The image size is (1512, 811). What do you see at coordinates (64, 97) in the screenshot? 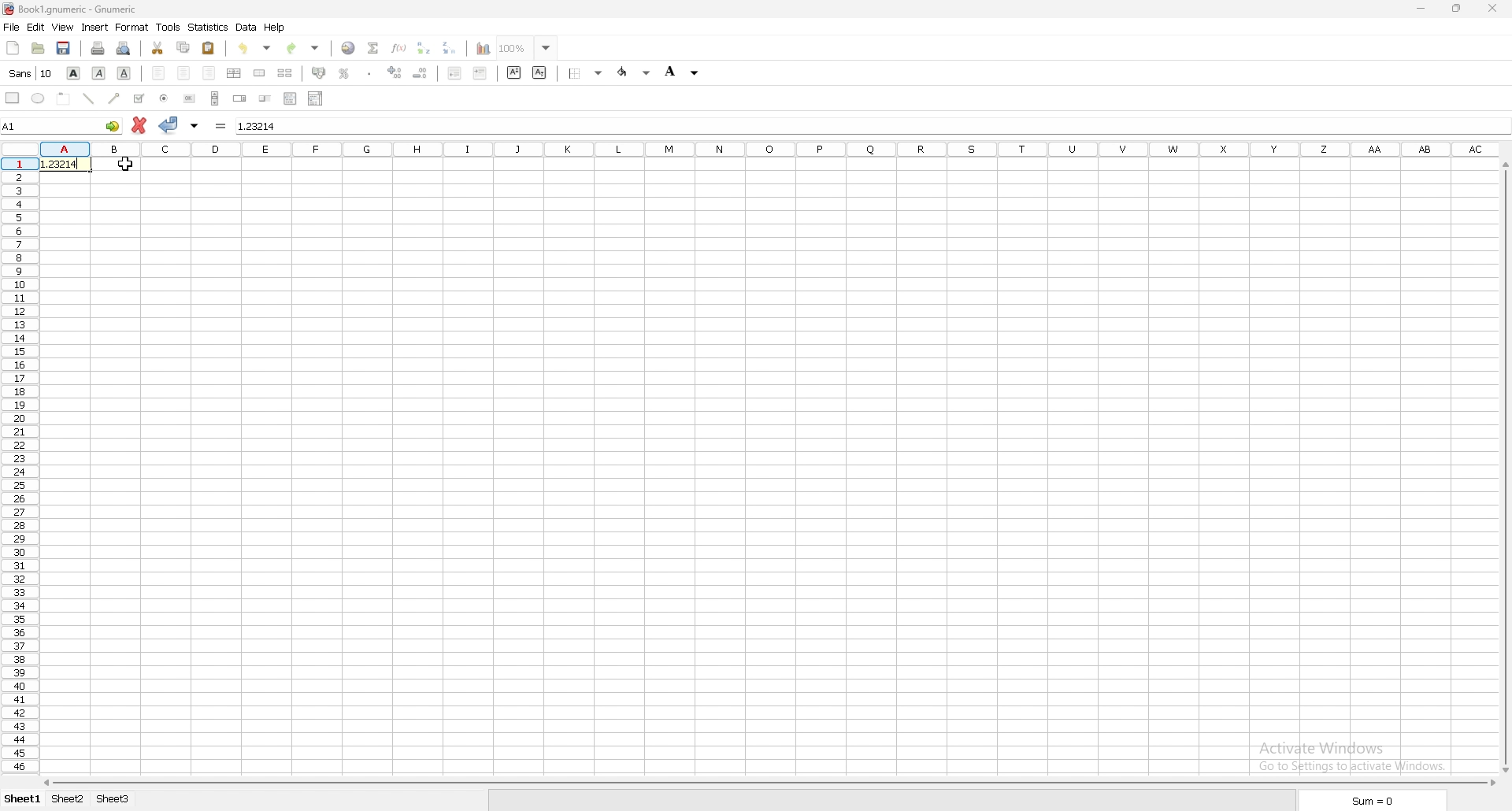
I see `frame` at bounding box center [64, 97].